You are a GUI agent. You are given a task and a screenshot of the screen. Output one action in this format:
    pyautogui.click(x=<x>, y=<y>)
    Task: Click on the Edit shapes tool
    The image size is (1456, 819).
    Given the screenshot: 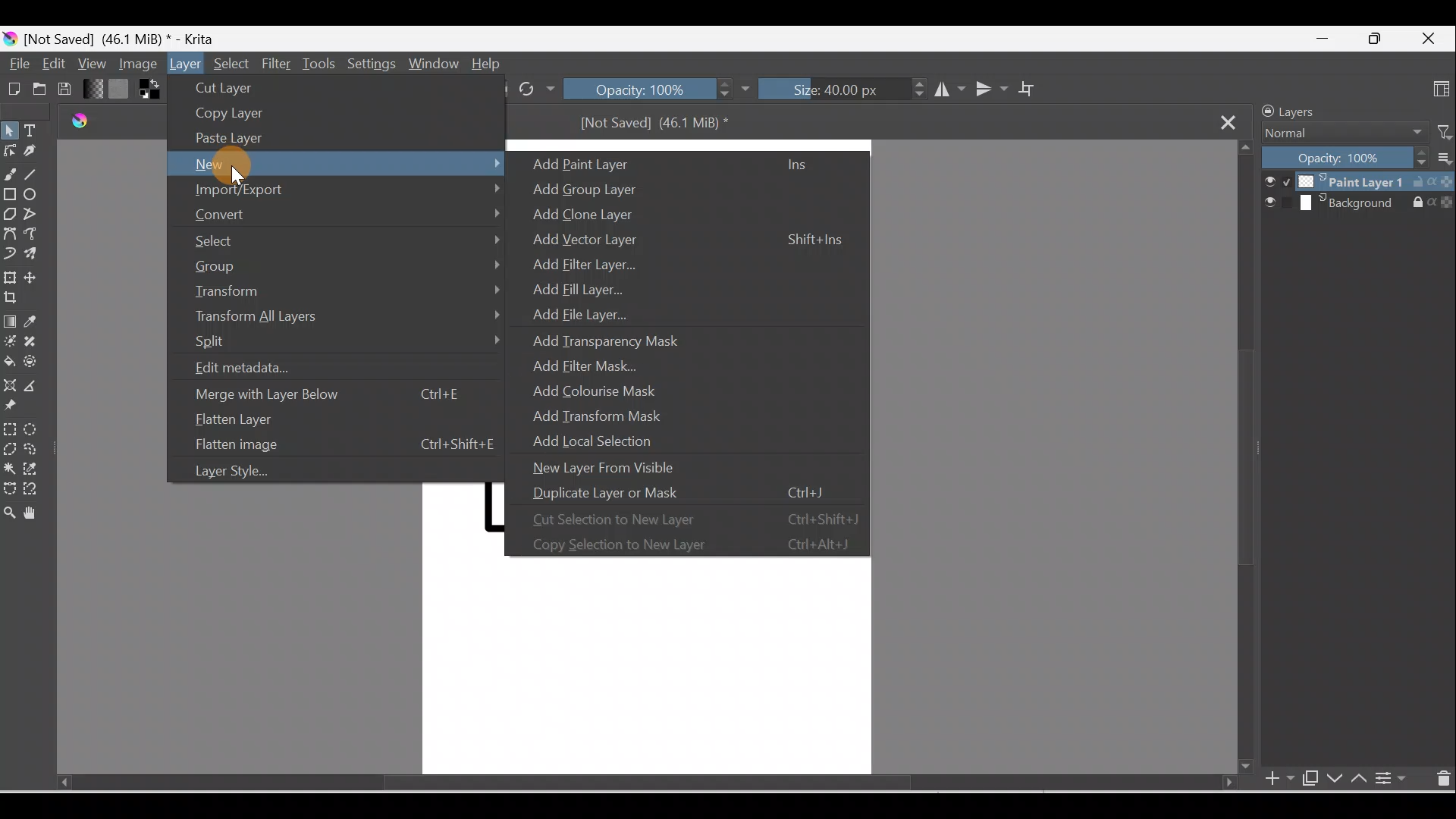 What is the action you would take?
    pyautogui.click(x=9, y=149)
    